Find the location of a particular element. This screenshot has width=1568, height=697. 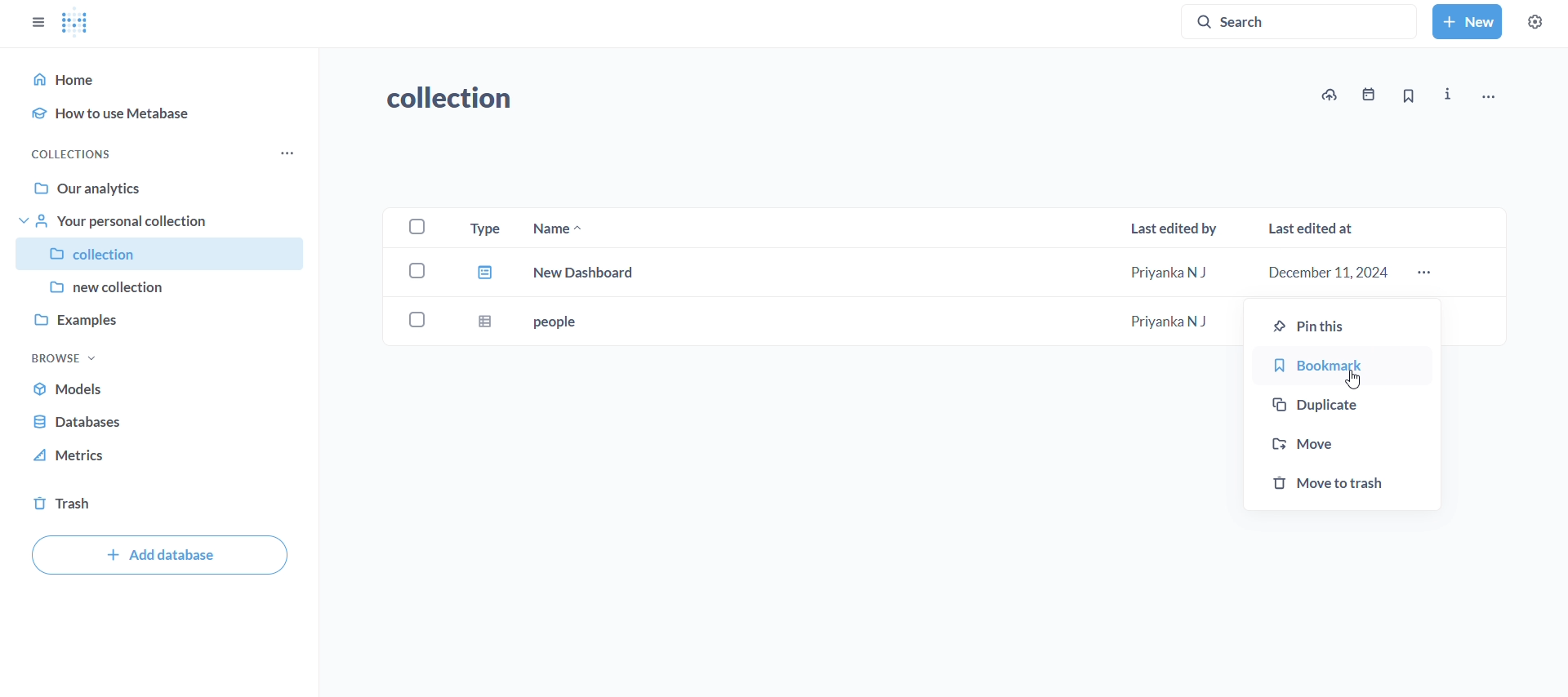

close sidebar is located at coordinates (37, 22).